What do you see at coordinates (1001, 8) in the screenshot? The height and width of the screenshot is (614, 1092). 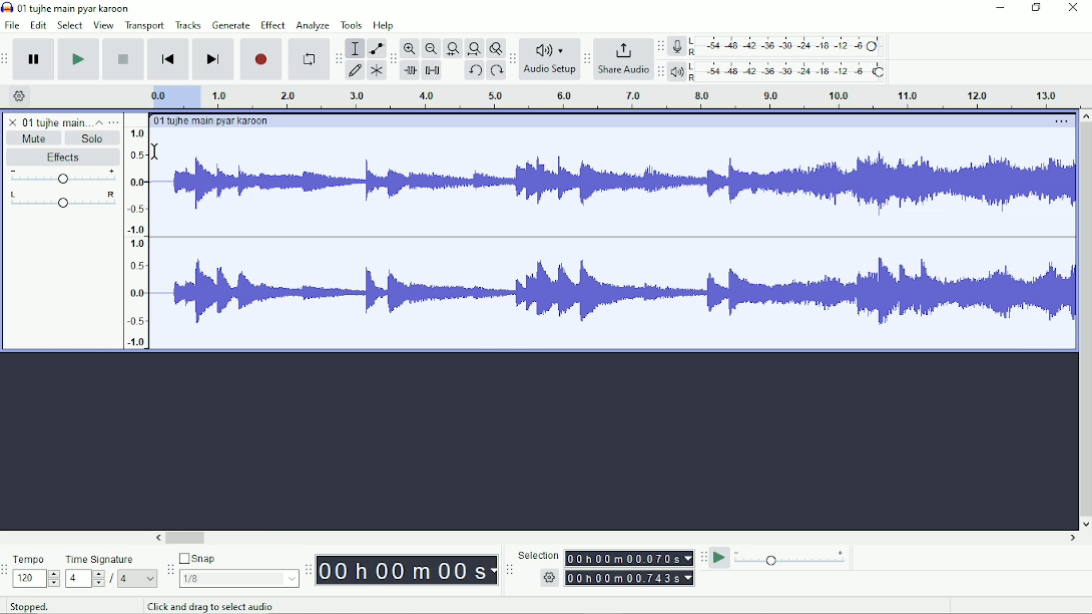 I see `Minimize` at bounding box center [1001, 8].